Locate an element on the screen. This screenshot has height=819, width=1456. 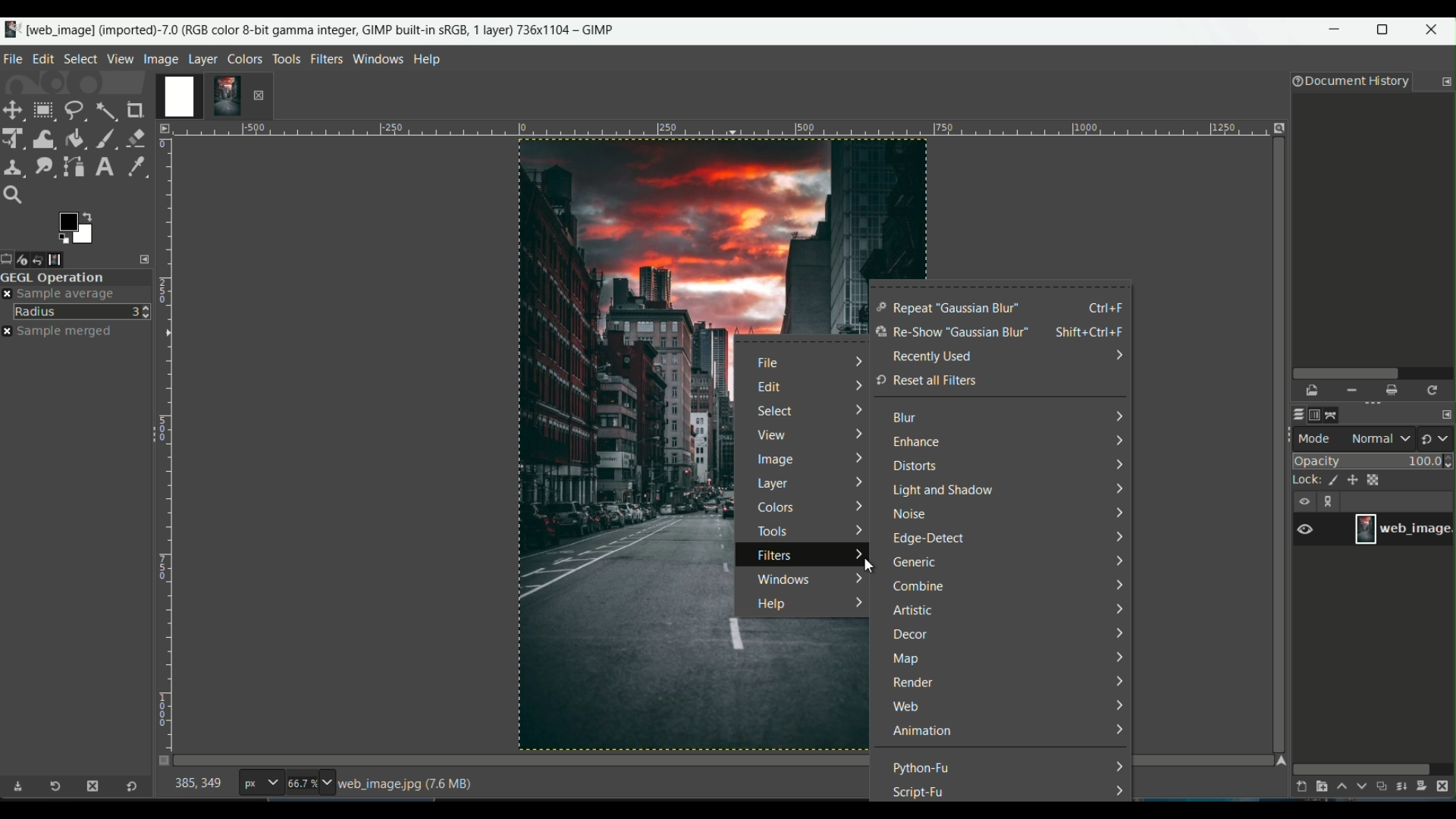
clone tool is located at coordinates (14, 166).